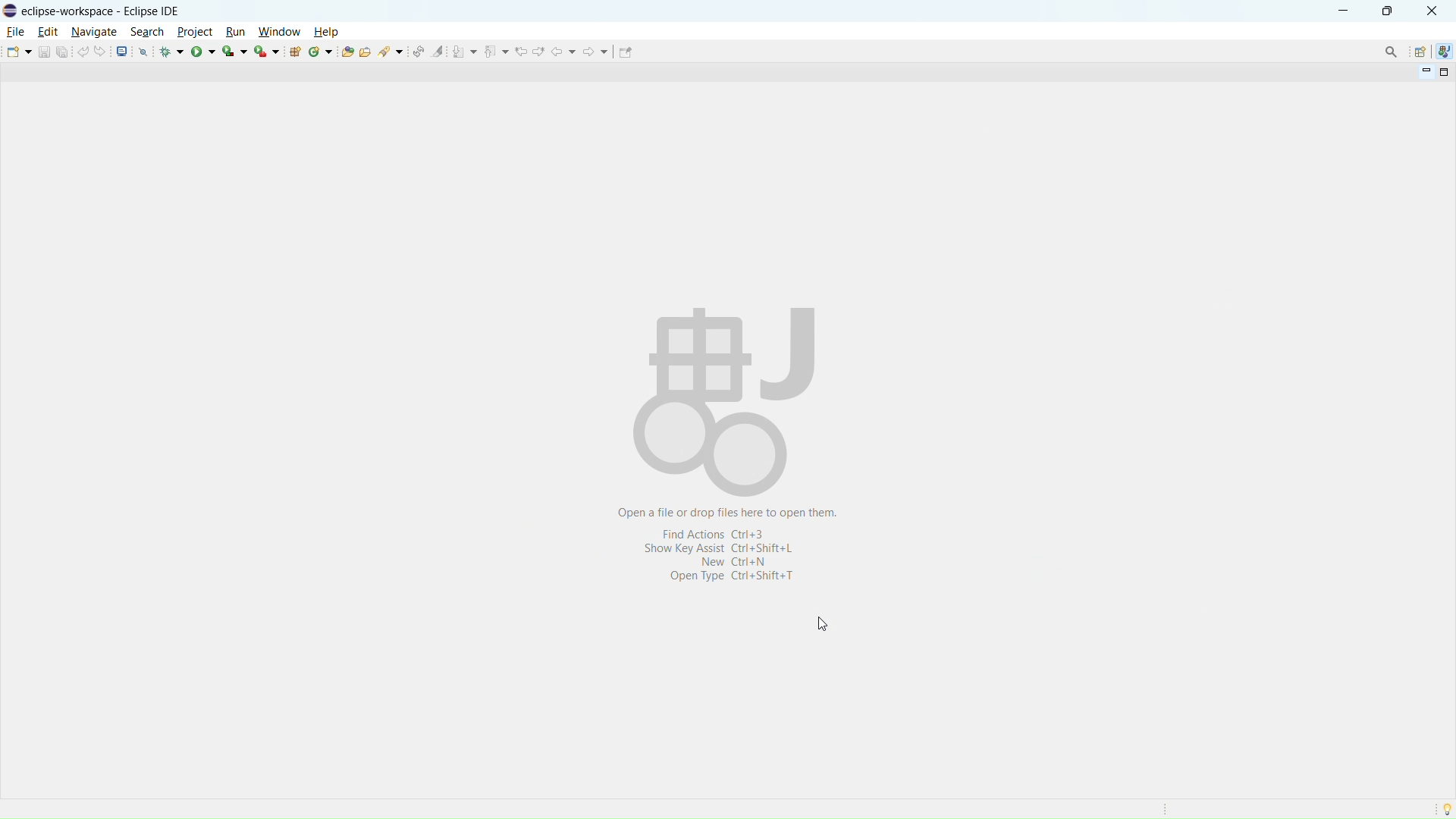  I want to click on coverage, so click(234, 51).